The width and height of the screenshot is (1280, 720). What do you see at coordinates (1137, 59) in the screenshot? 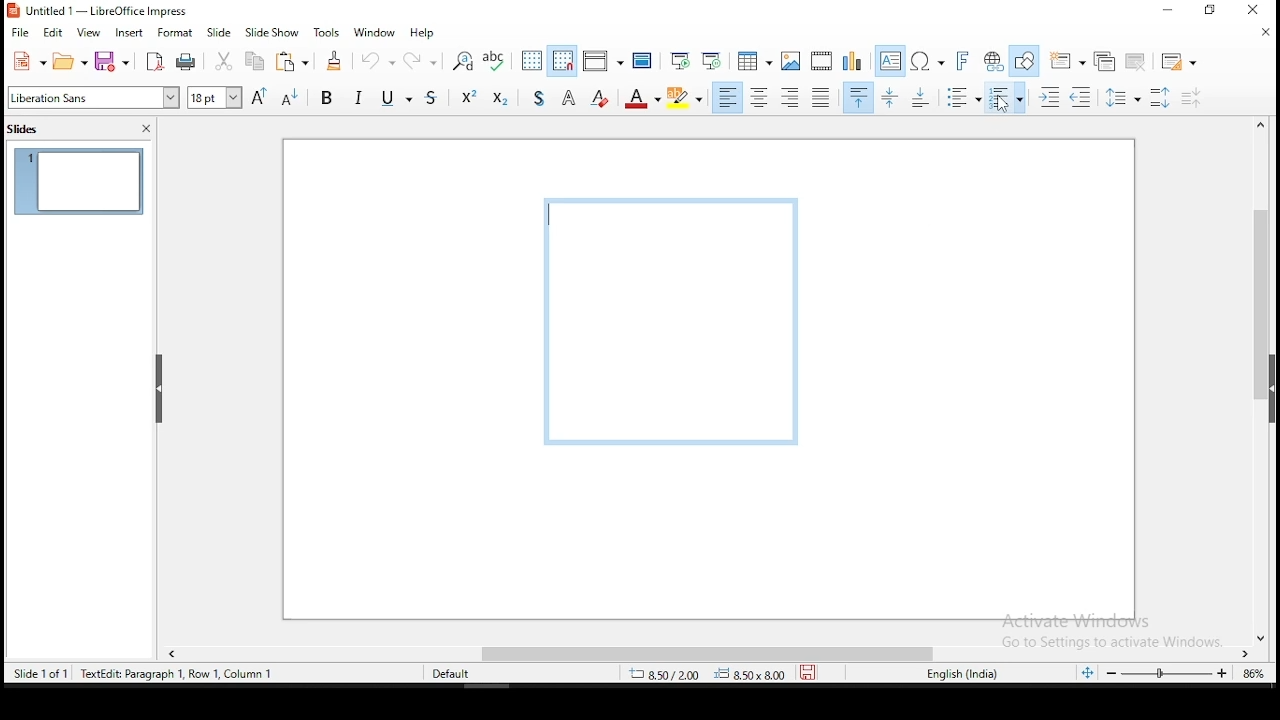
I see `delete slide` at bounding box center [1137, 59].